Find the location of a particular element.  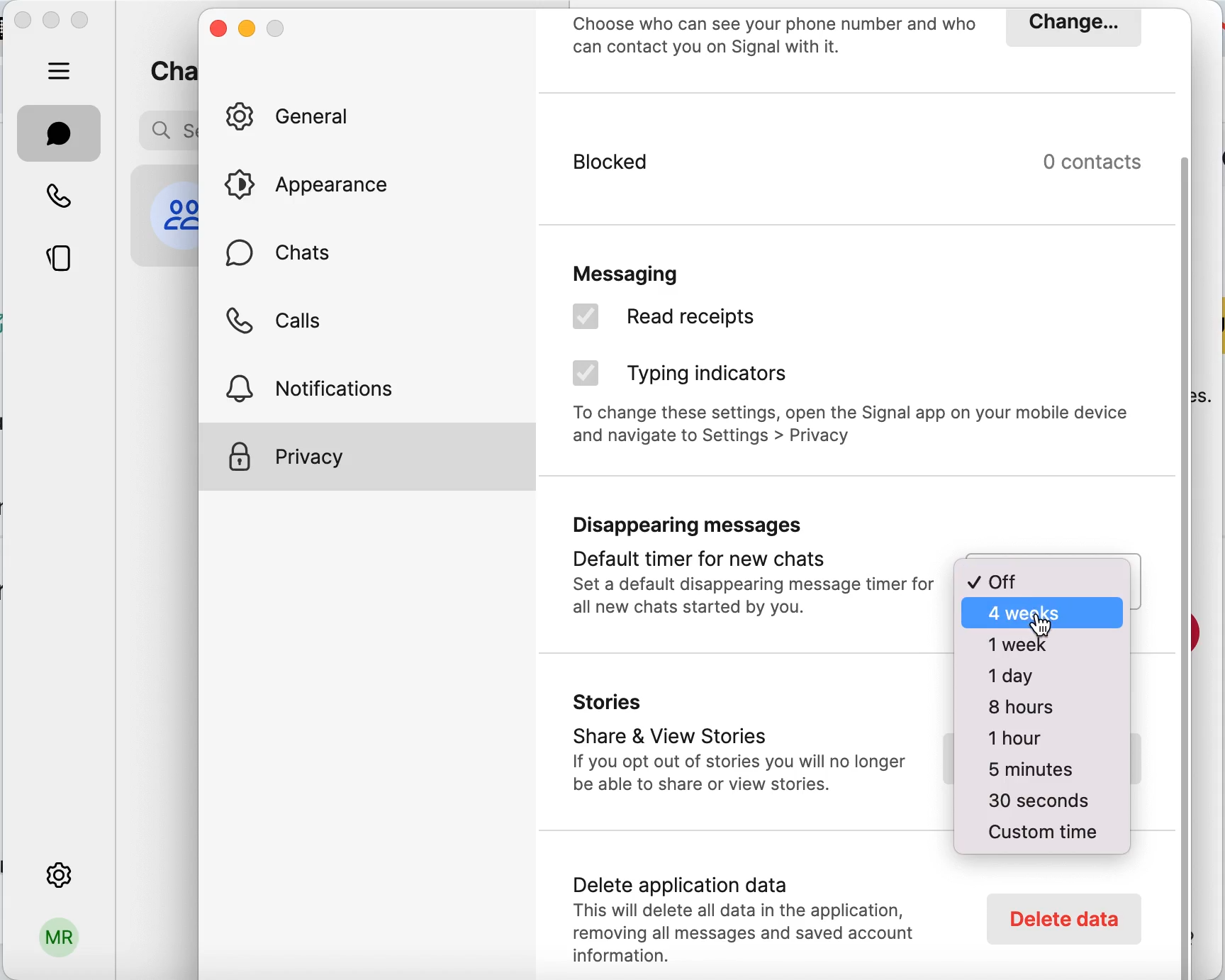

maximize is located at coordinates (278, 28).